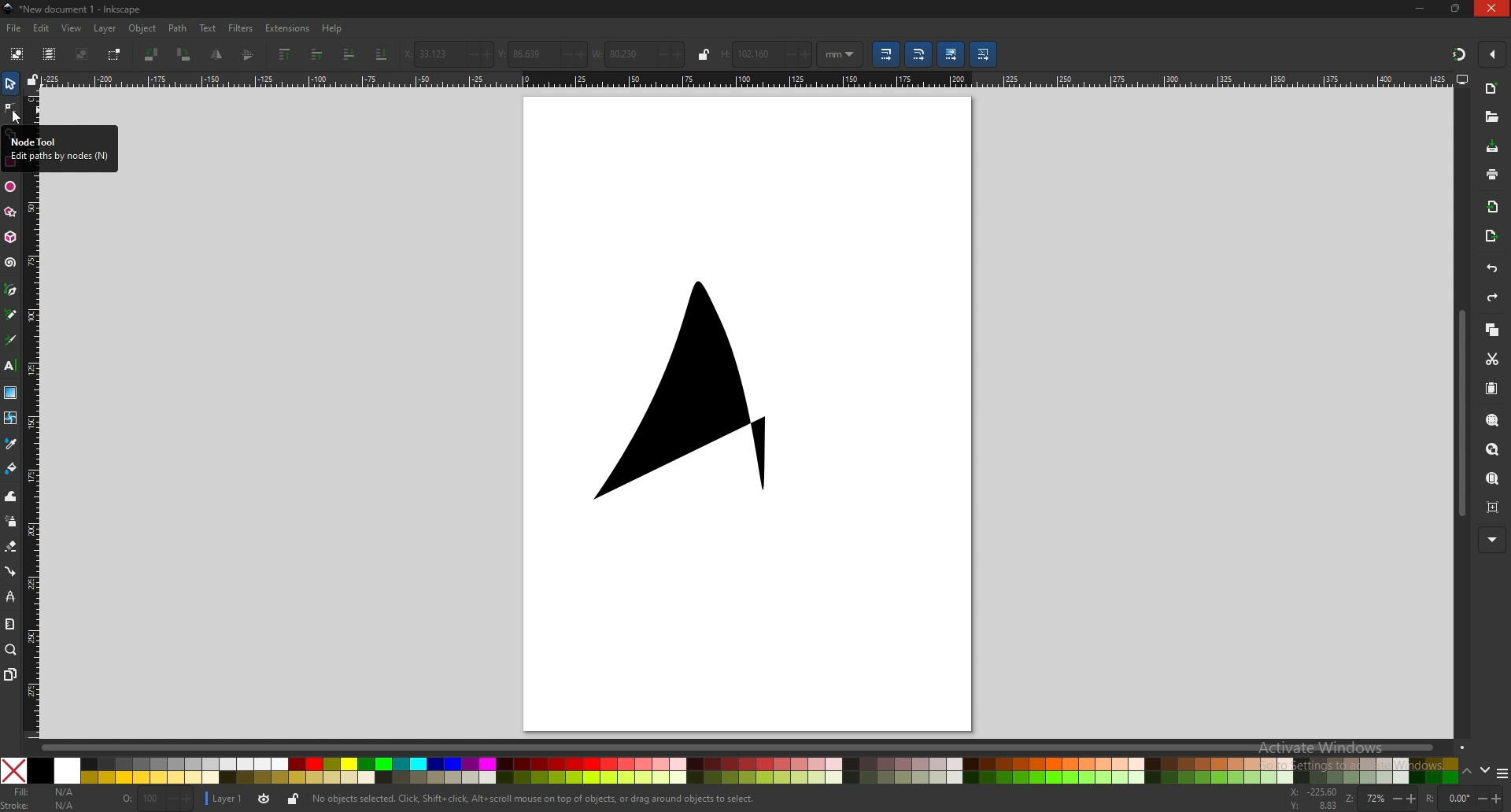  What do you see at coordinates (1492, 539) in the screenshot?
I see `more` at bounding box center [1492, 539].